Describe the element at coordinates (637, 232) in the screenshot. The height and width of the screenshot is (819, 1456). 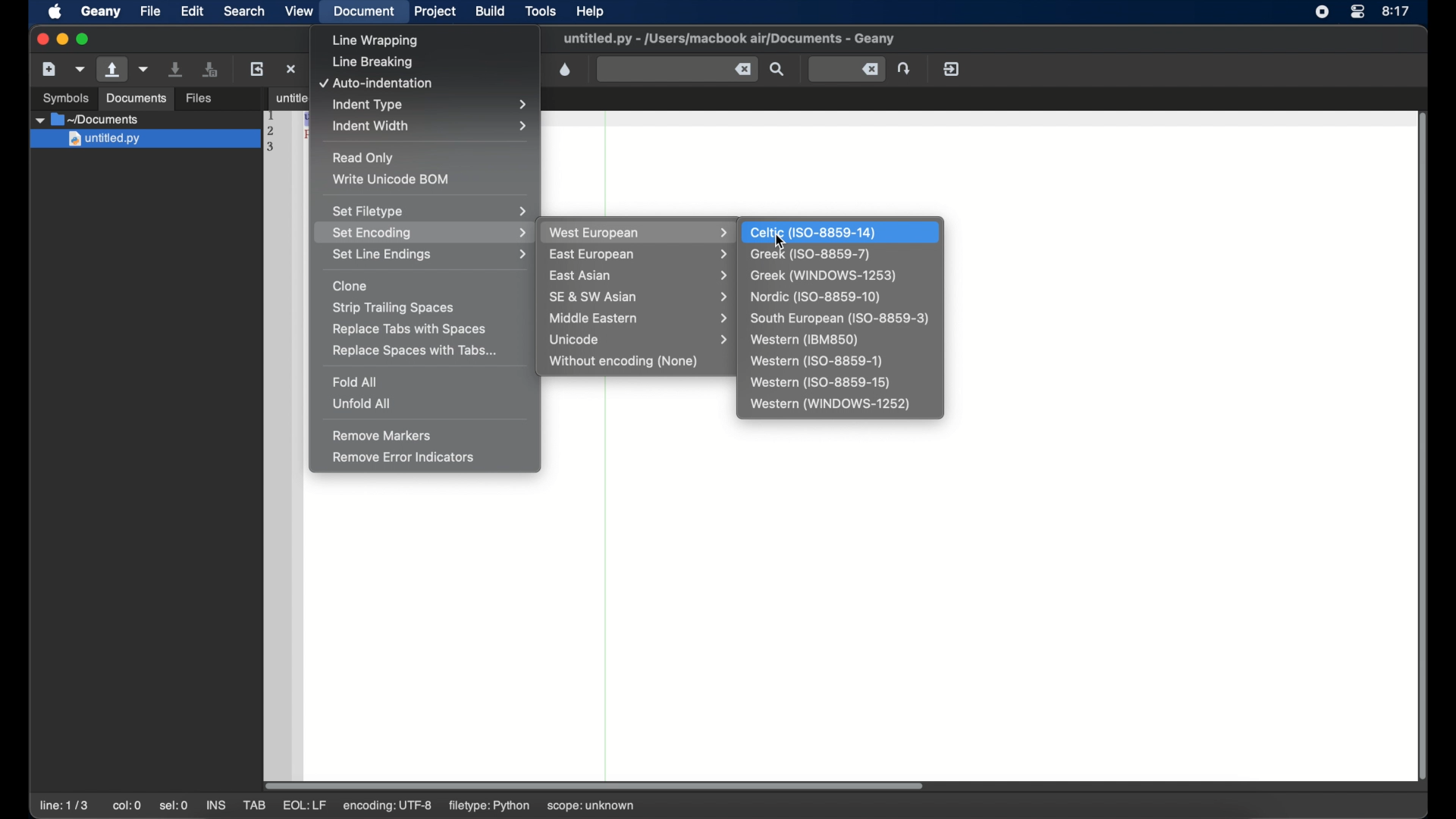
I see `west european menu highlighted` at that location.